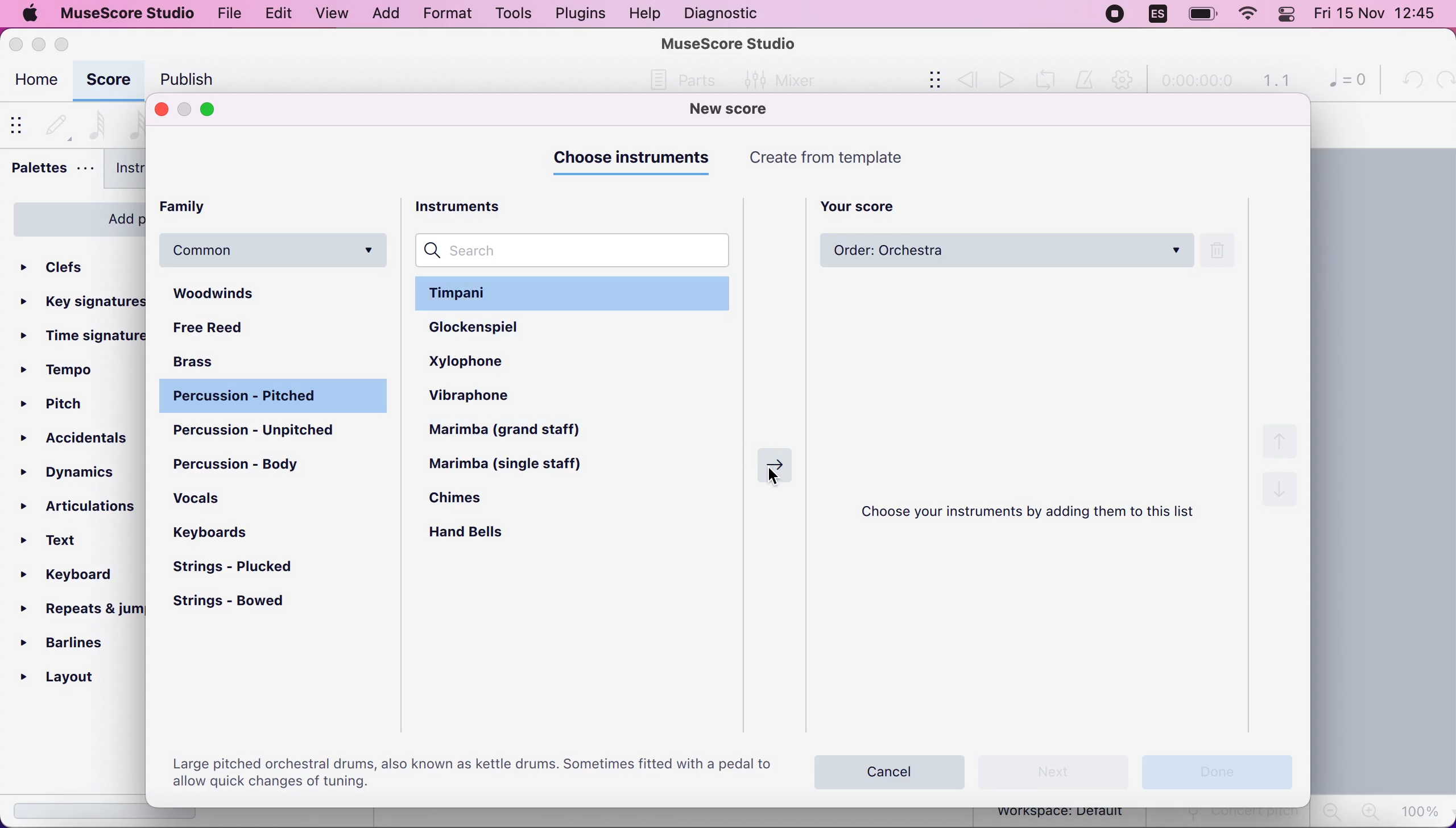 This screenshot has width=1456, height=828. Describe the element at coordinates (276, 431) in the screenshot. I see `percussion - unpitched` at that location.